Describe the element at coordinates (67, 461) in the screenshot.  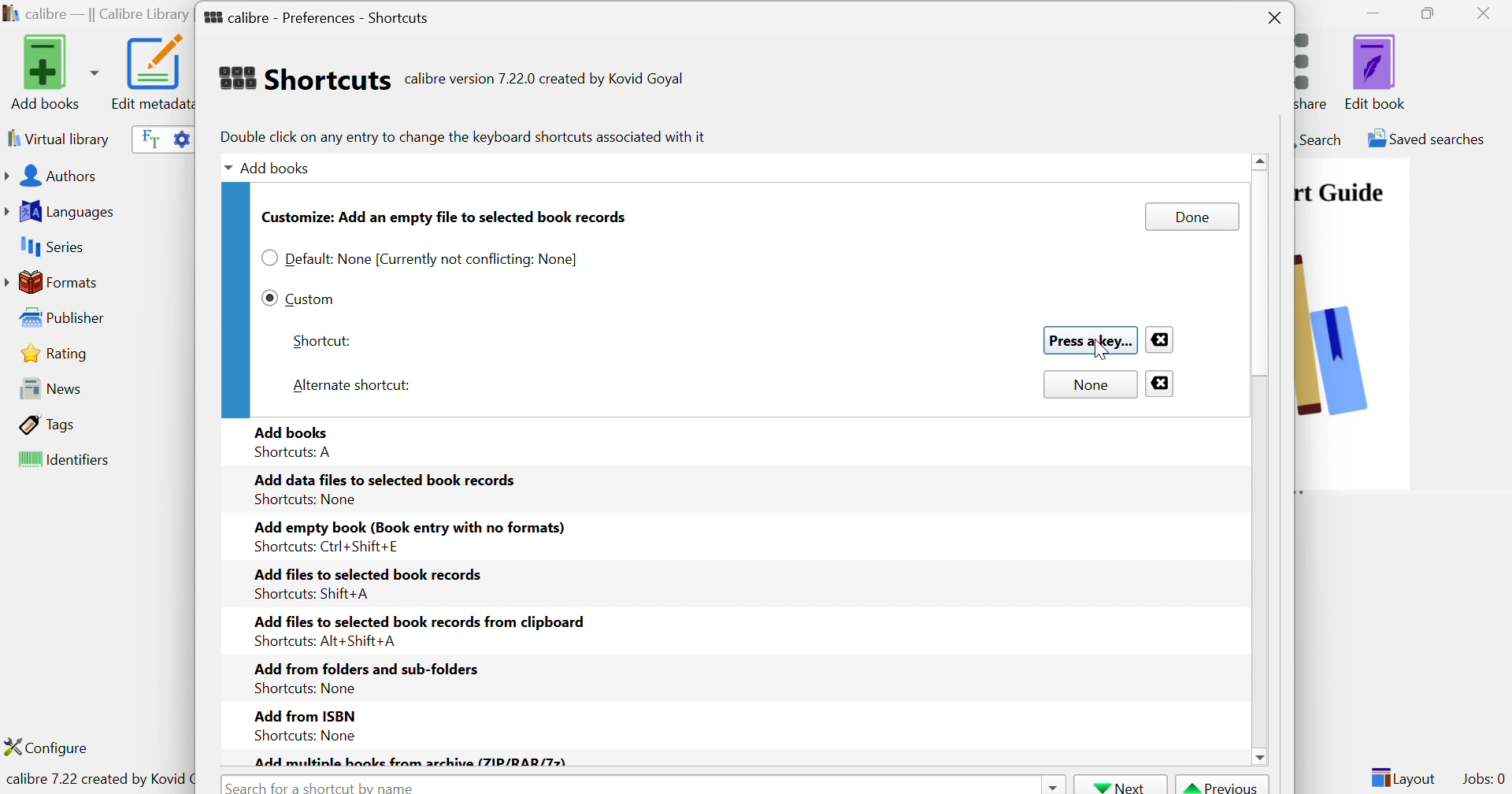
I see `Identifiers` at that location.